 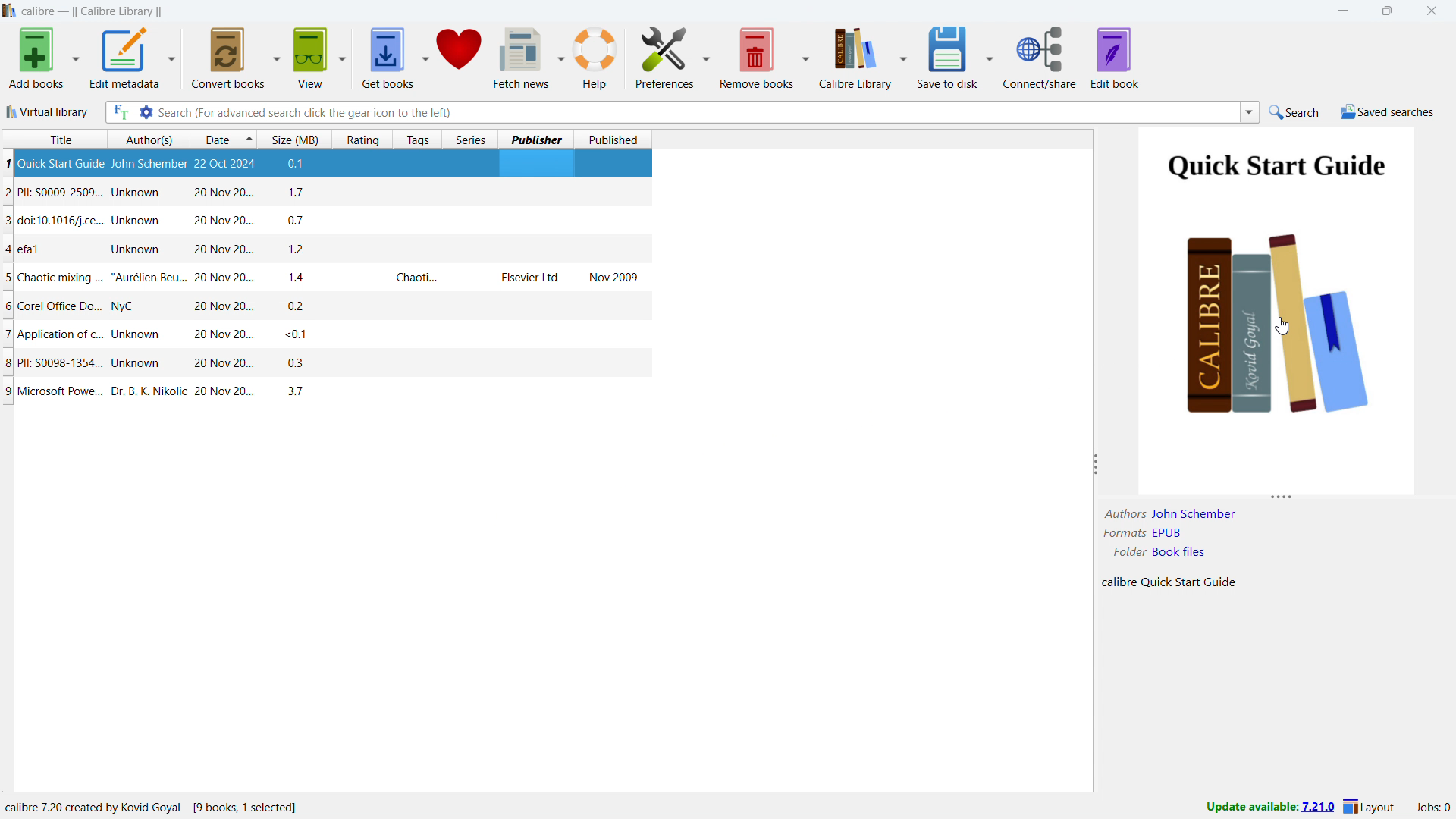 What do you see at coordinates (1369, 808) in the screenshot?
I see `layout` at bounding box center [1369, 808].